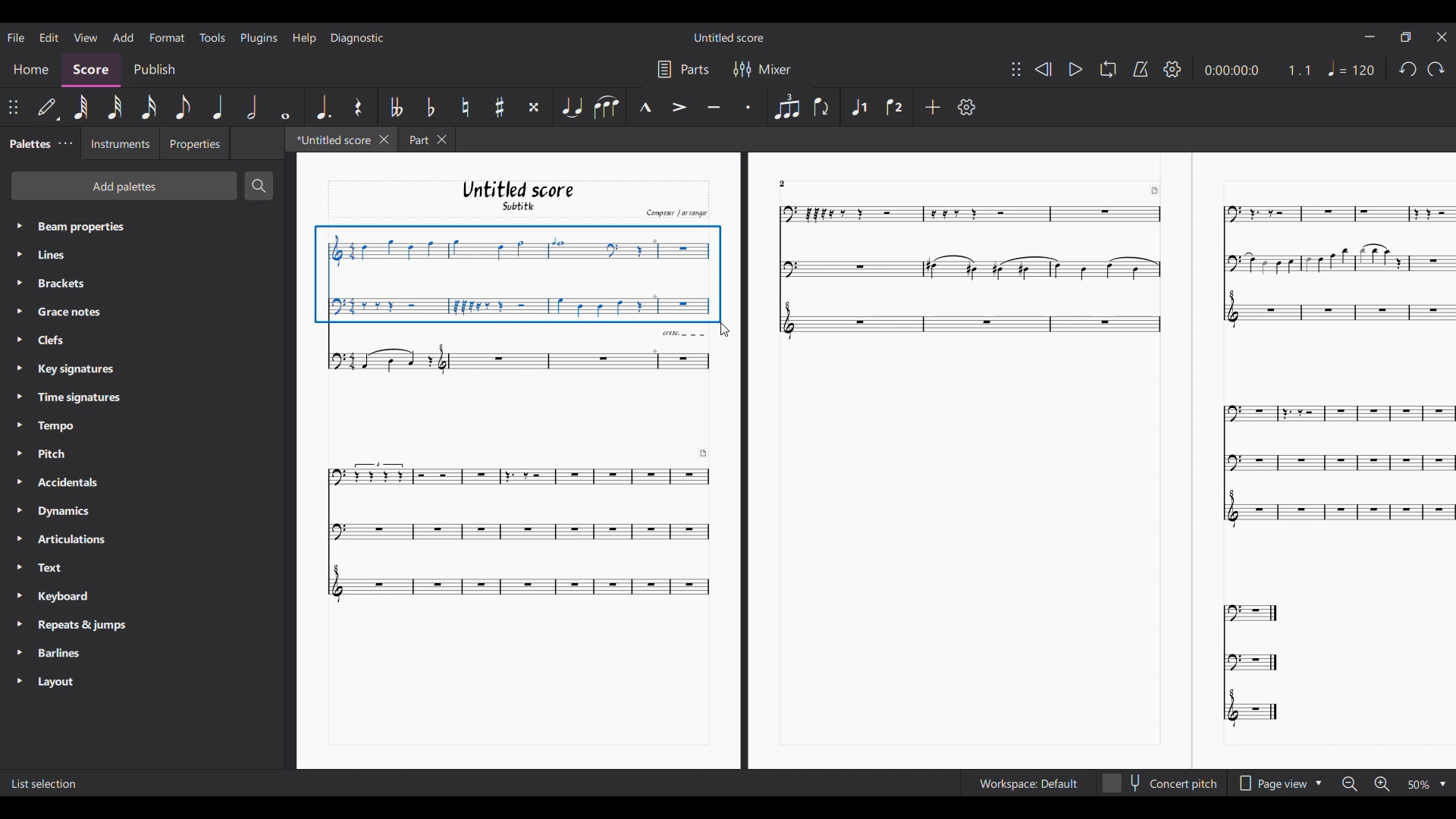 Image resolution: width=1456 pixels, height=819 pixels. What do you see at coordinates (86, 37) in the screenshot?
I see `View ` at bounding box center [86, 37].